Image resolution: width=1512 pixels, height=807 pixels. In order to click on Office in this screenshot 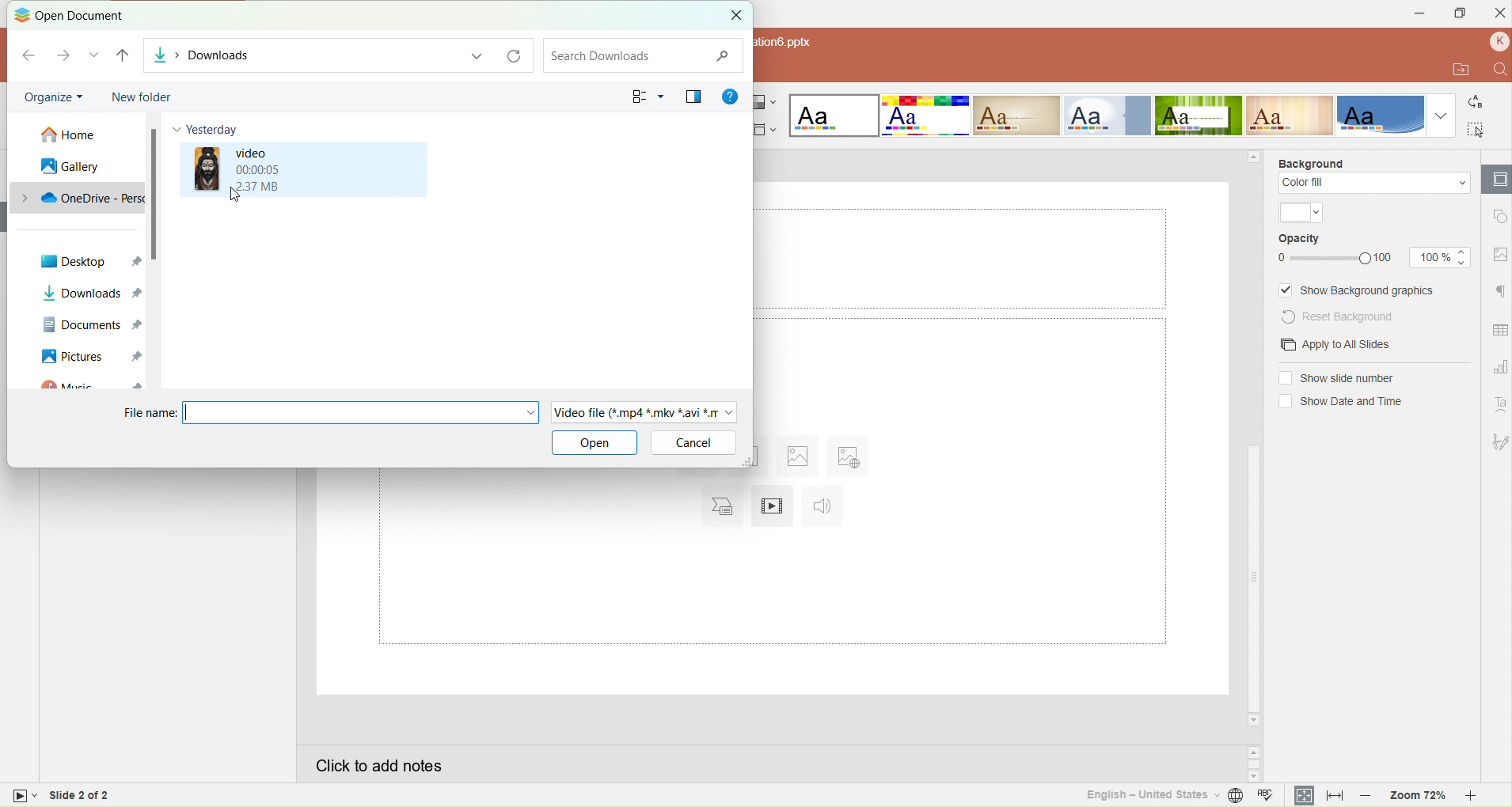, I will do `click(1380, 116)`.